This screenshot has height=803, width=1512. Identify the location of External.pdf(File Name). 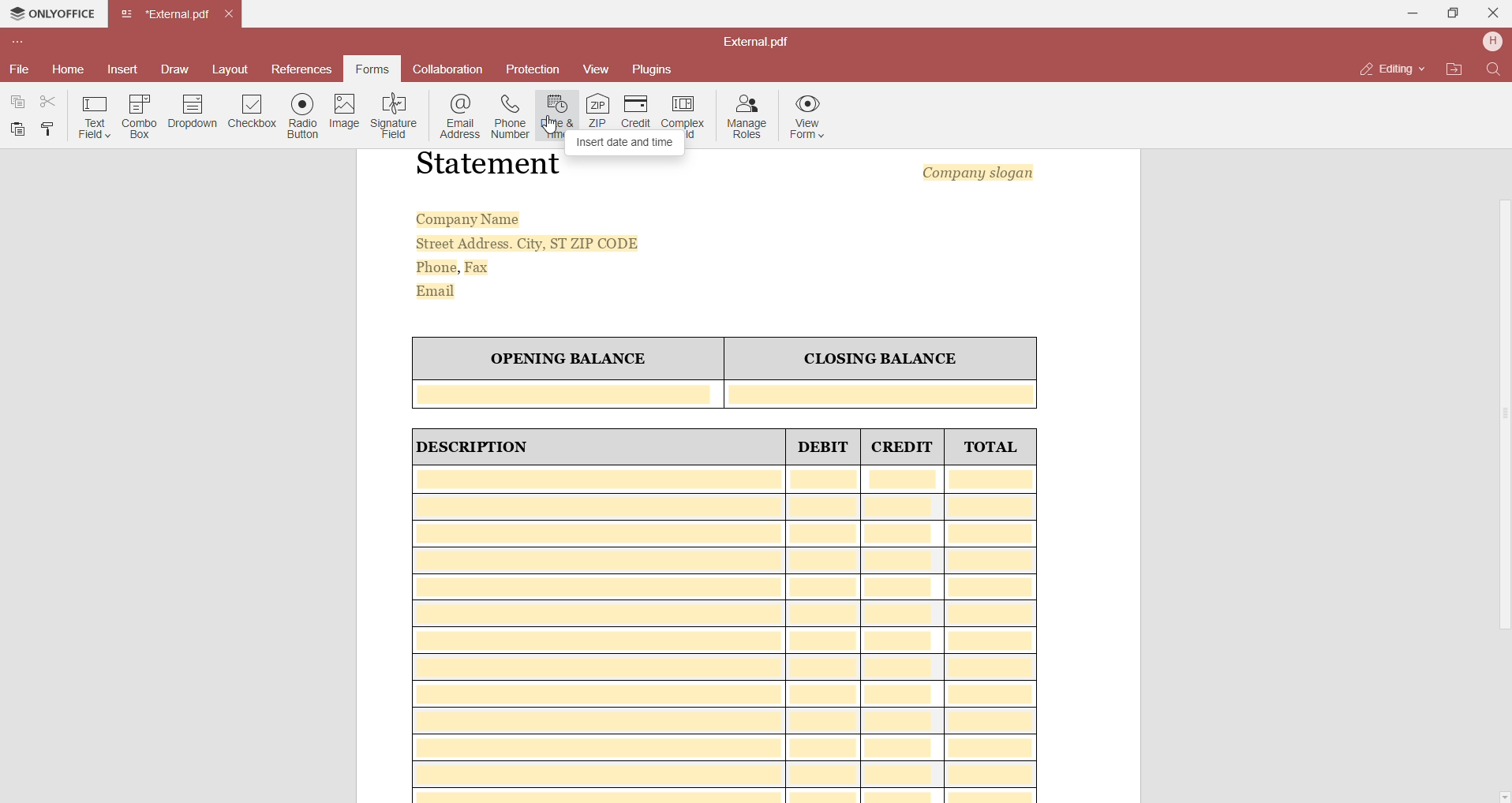
(764, 41).